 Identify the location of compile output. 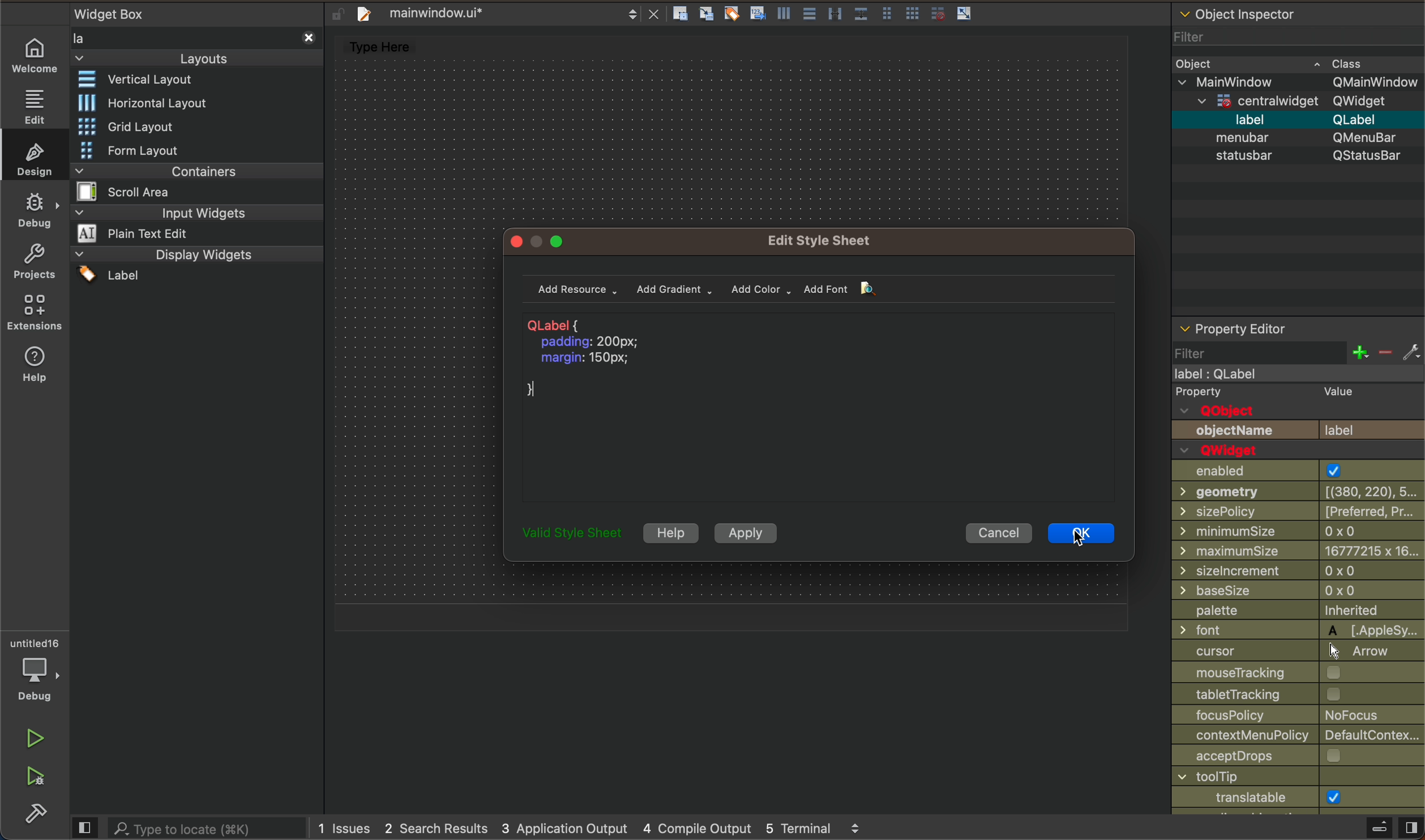
(696, 828).